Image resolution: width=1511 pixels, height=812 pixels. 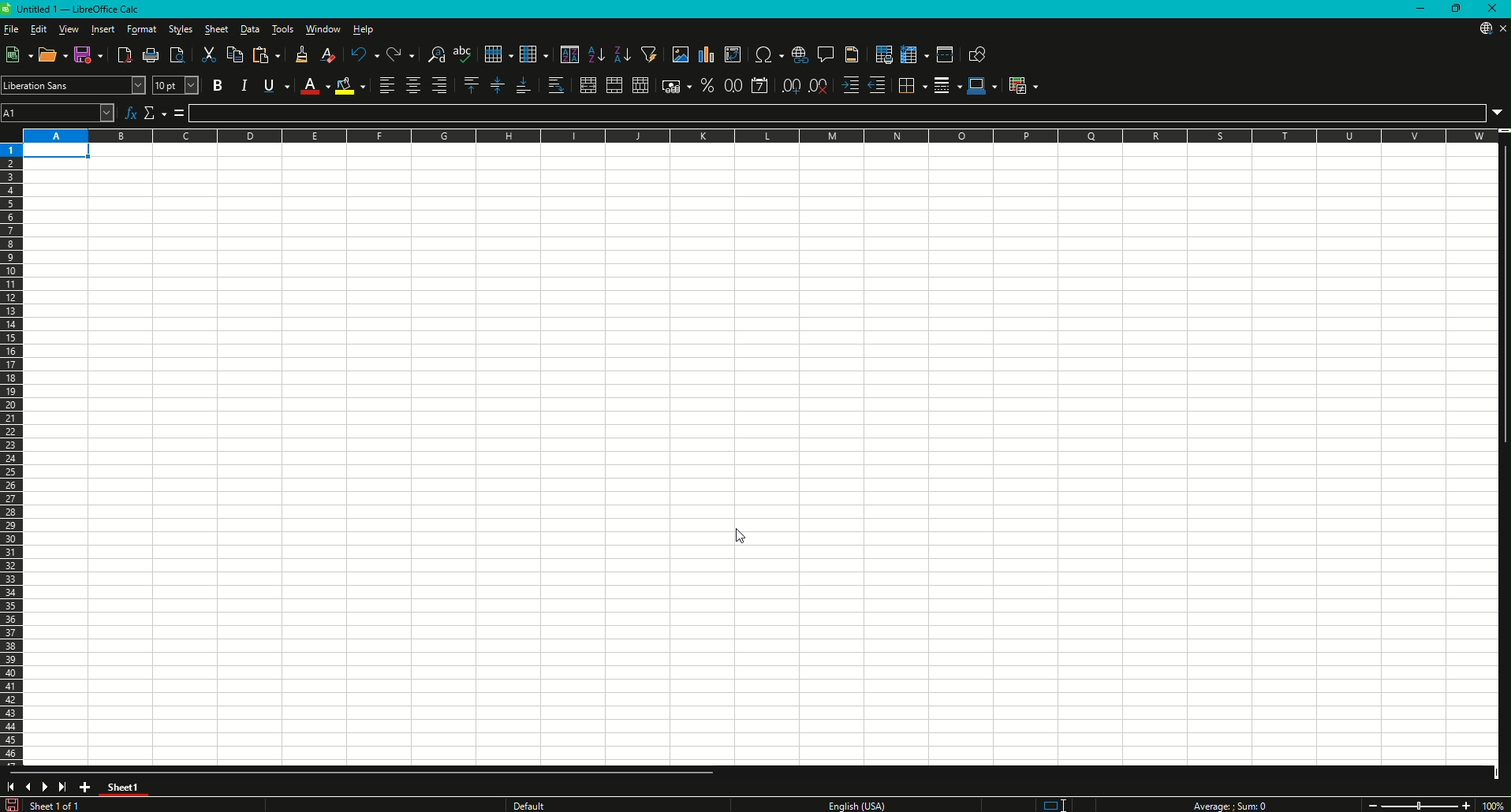 I want to click on Print, so click(x=151, y=54).